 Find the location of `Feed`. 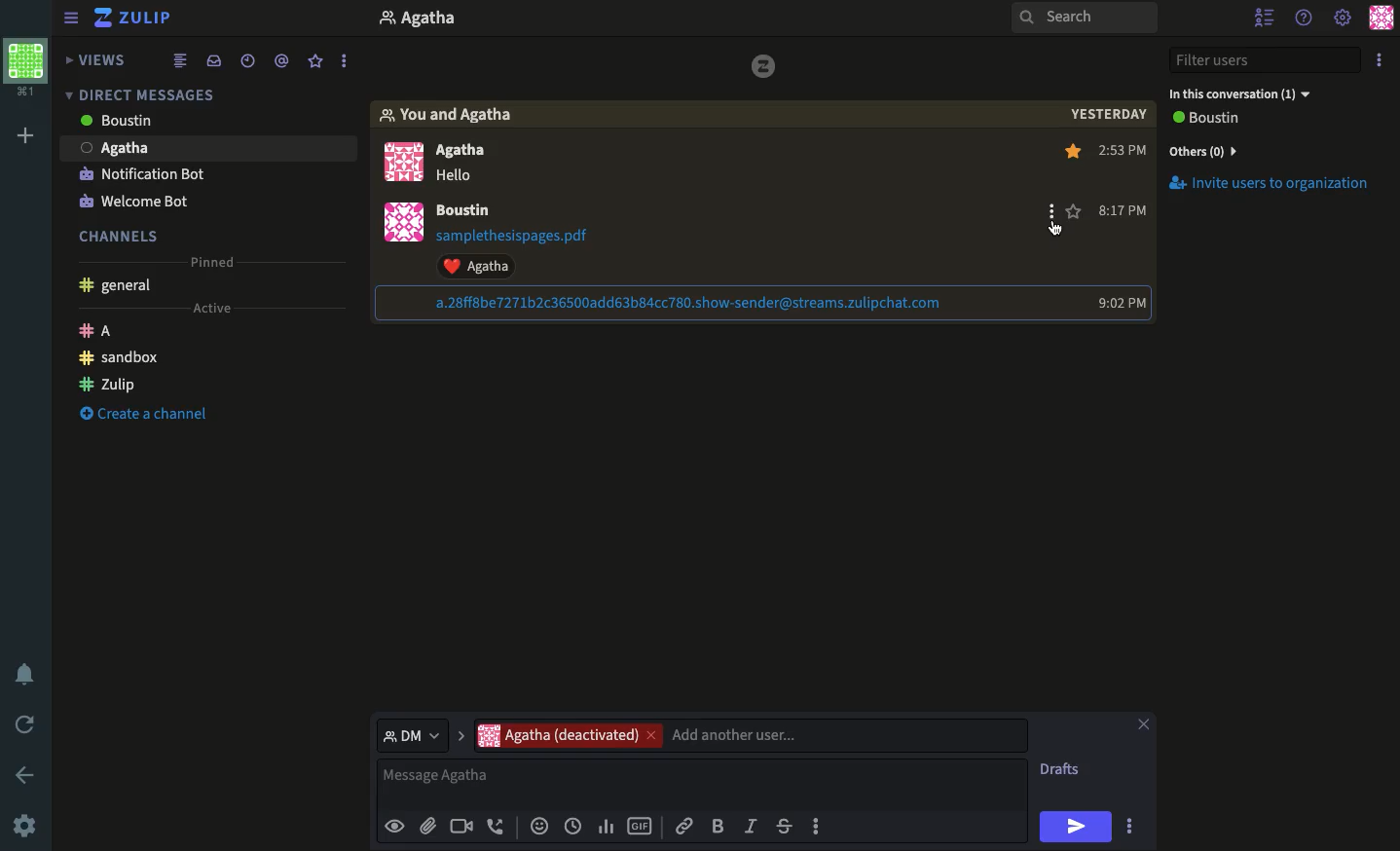

Feed is located at coordinates (183, 59).